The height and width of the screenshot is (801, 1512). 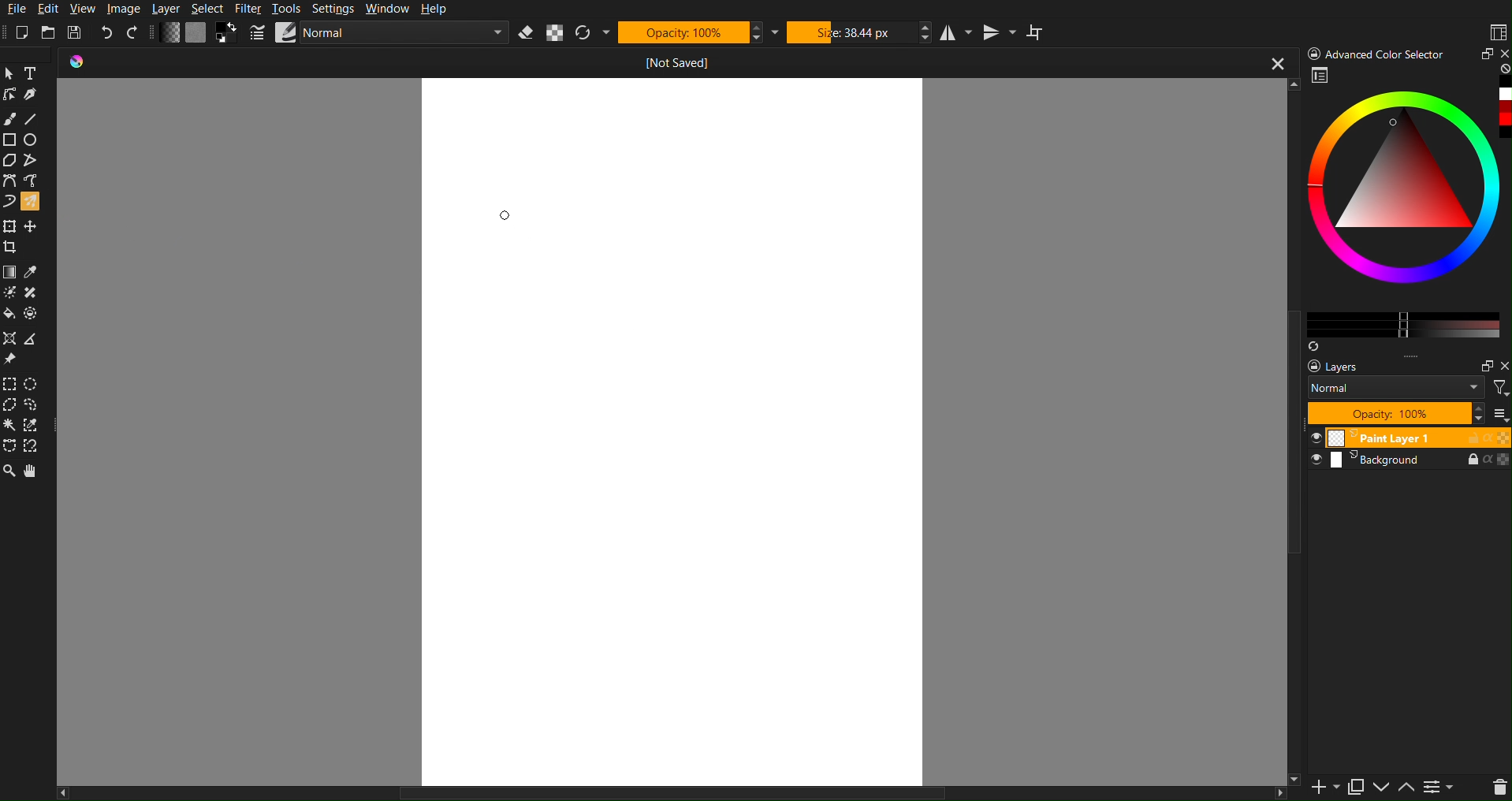 I want to click on Undo, so click(x=107, y=32).